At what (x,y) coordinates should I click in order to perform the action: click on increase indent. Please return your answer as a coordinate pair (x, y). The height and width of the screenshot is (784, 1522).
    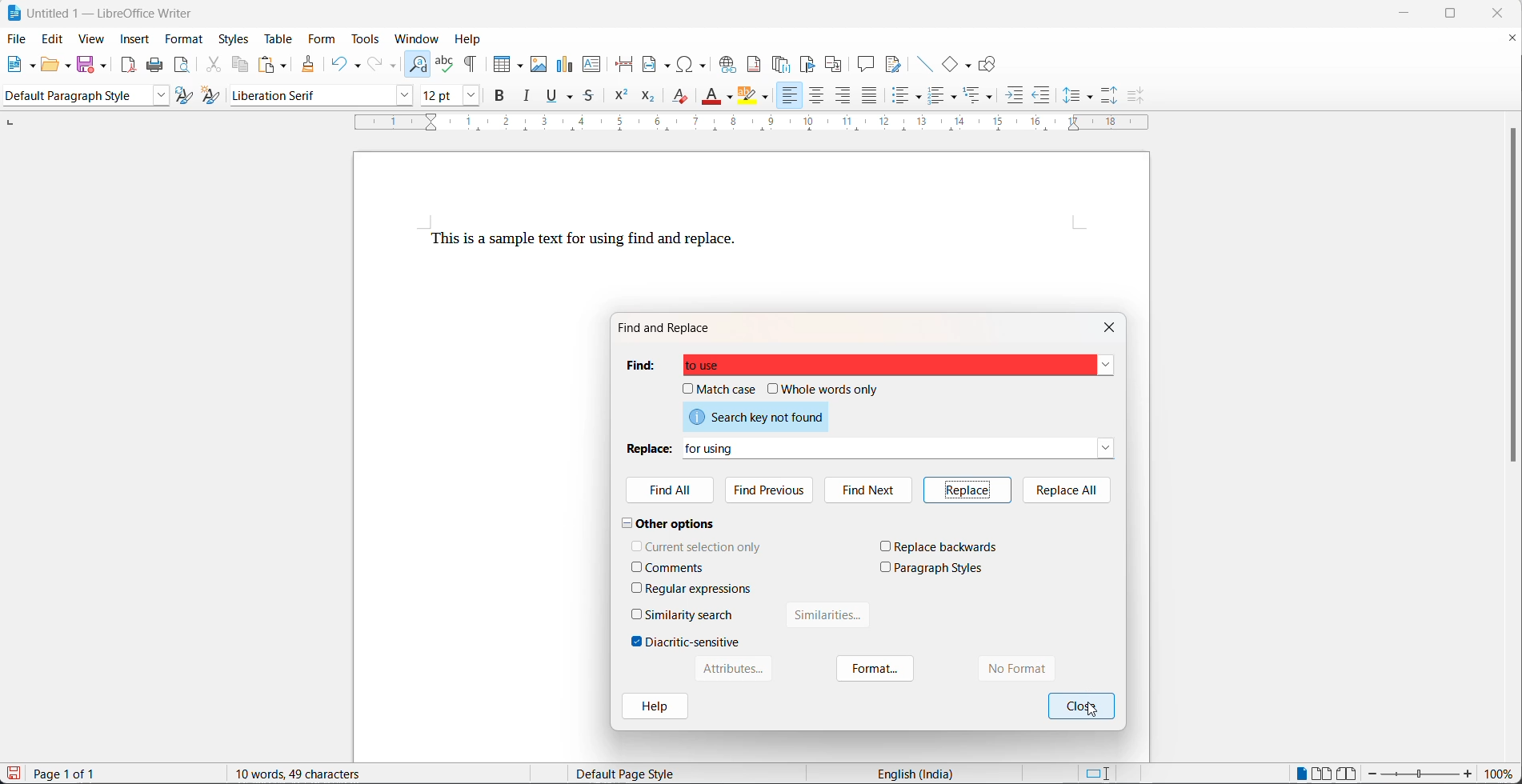
    Looking at the image, I should click on (1015, 98).